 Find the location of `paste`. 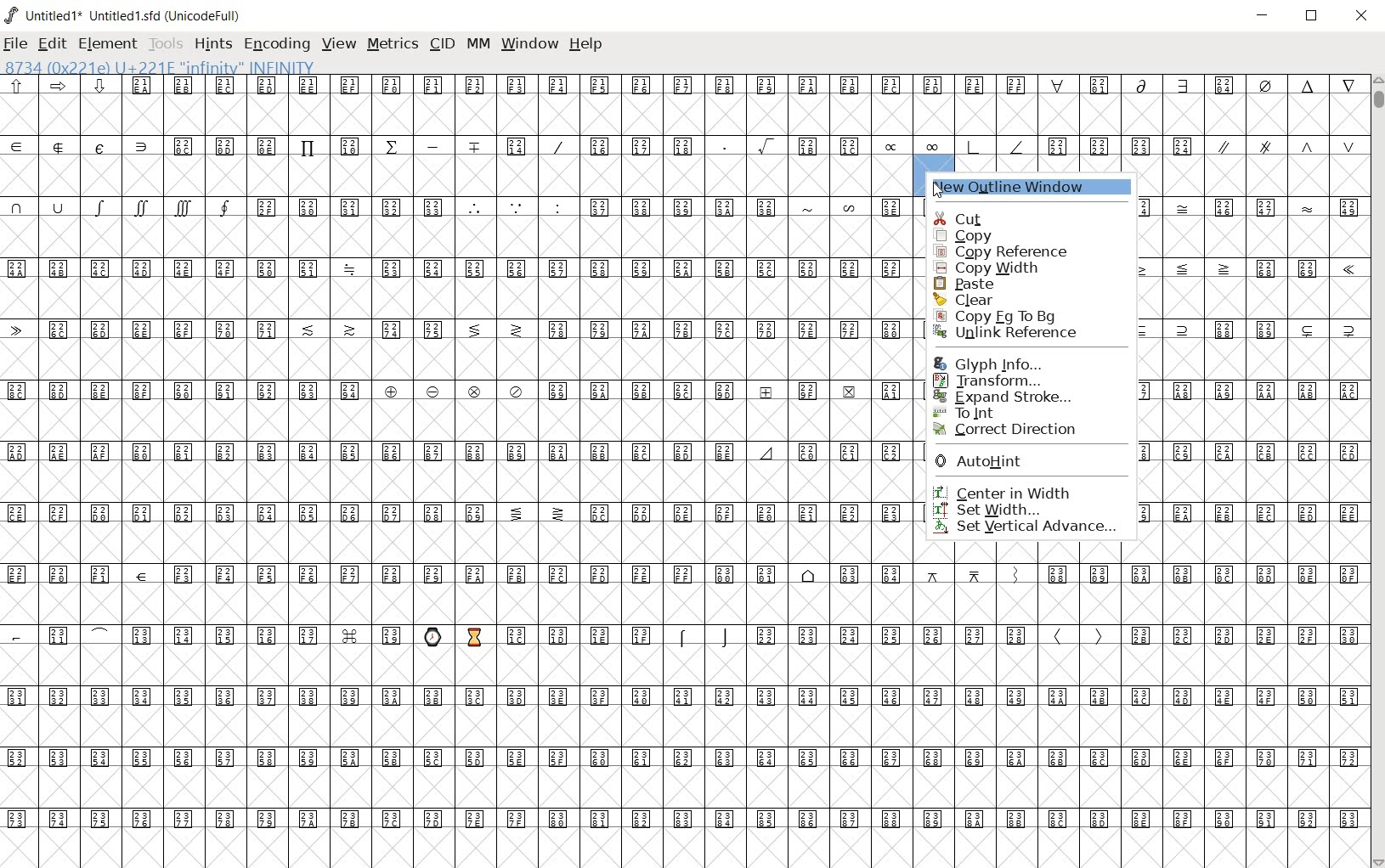

paste is located at coordinates (983, 282).